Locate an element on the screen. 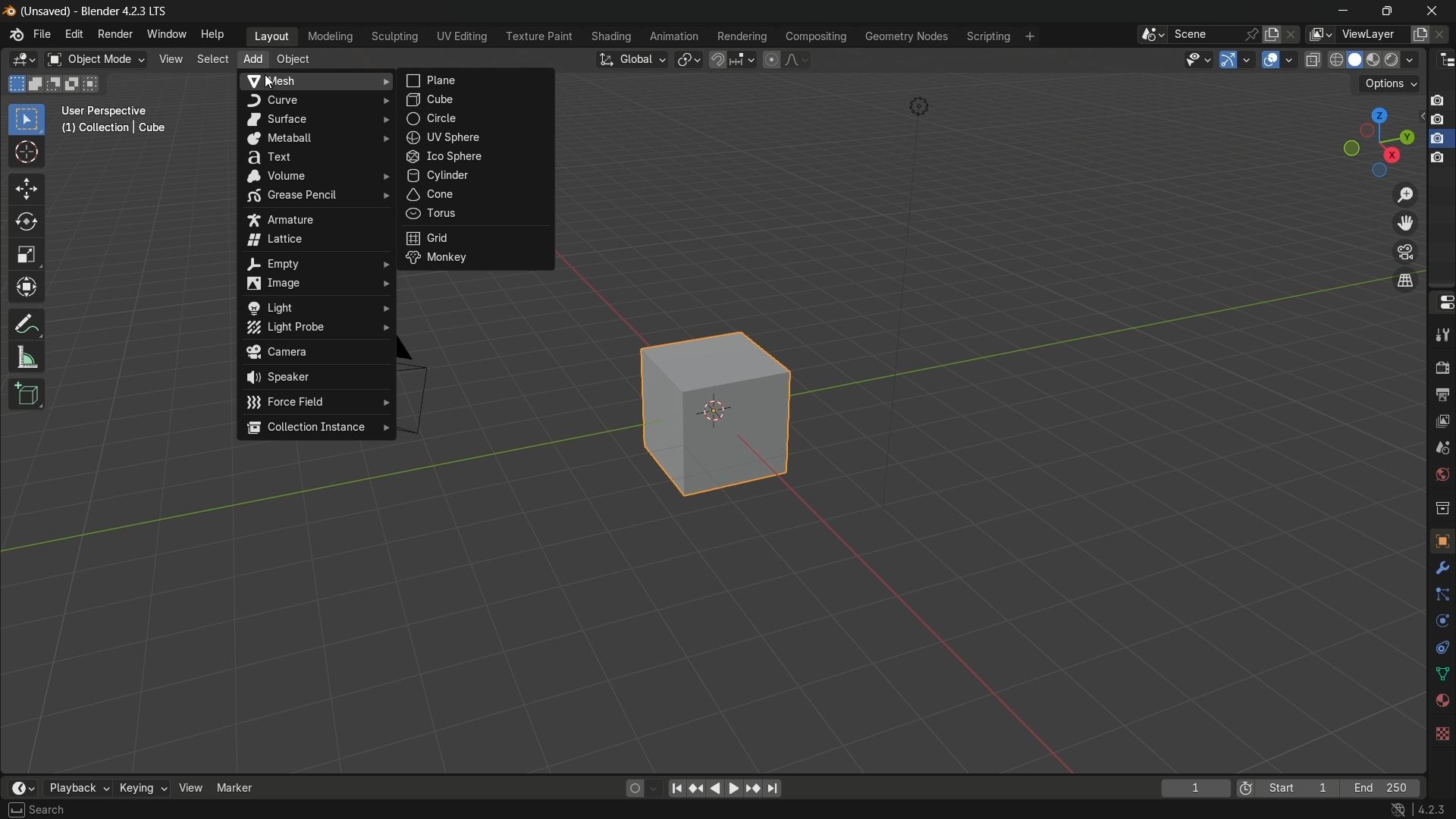 This screenshot has width=1456, height=819. outliner is located at coordinates (1447, 61).